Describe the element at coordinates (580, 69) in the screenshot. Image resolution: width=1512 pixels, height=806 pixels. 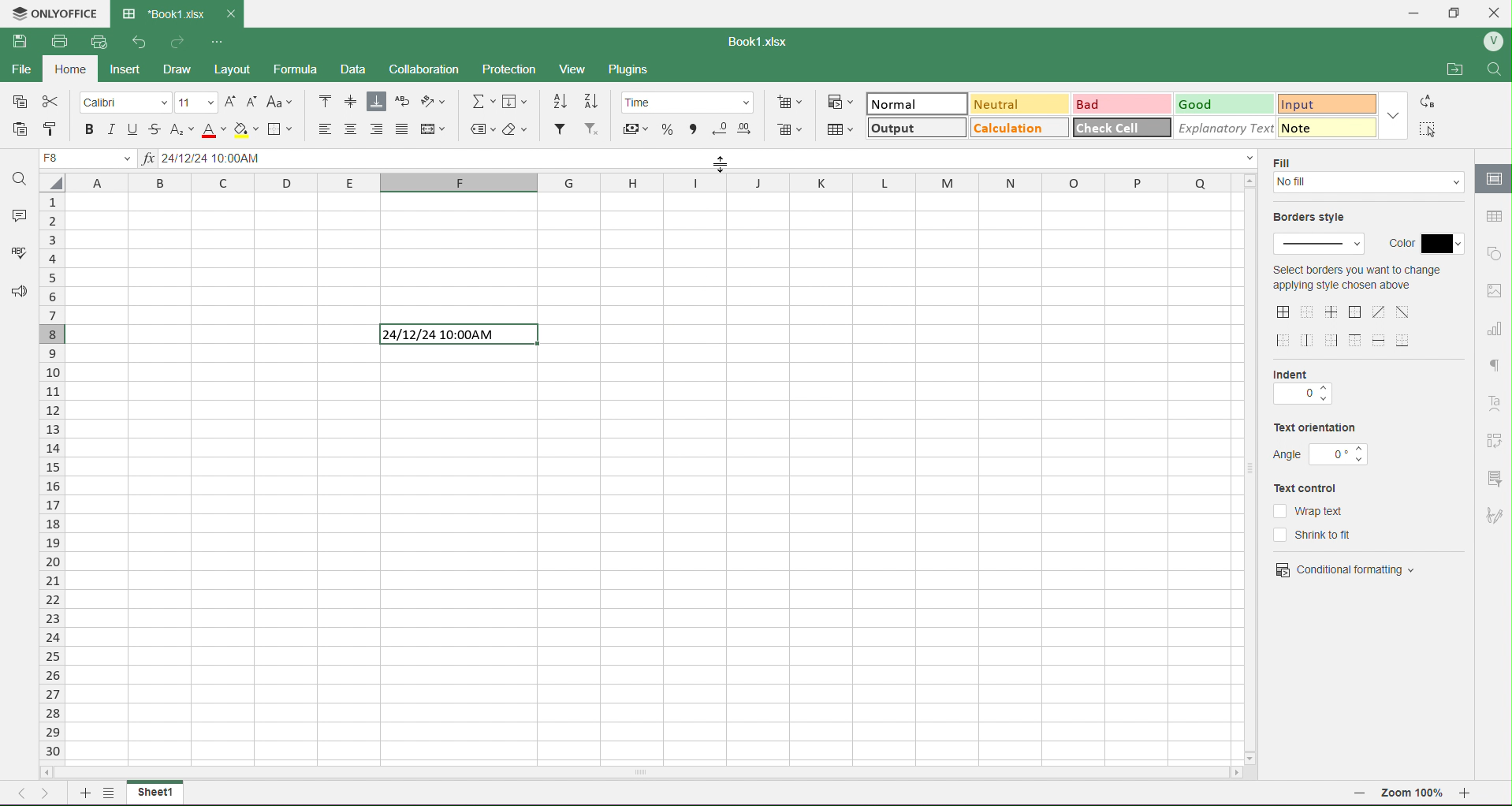
I see `View` at that location.